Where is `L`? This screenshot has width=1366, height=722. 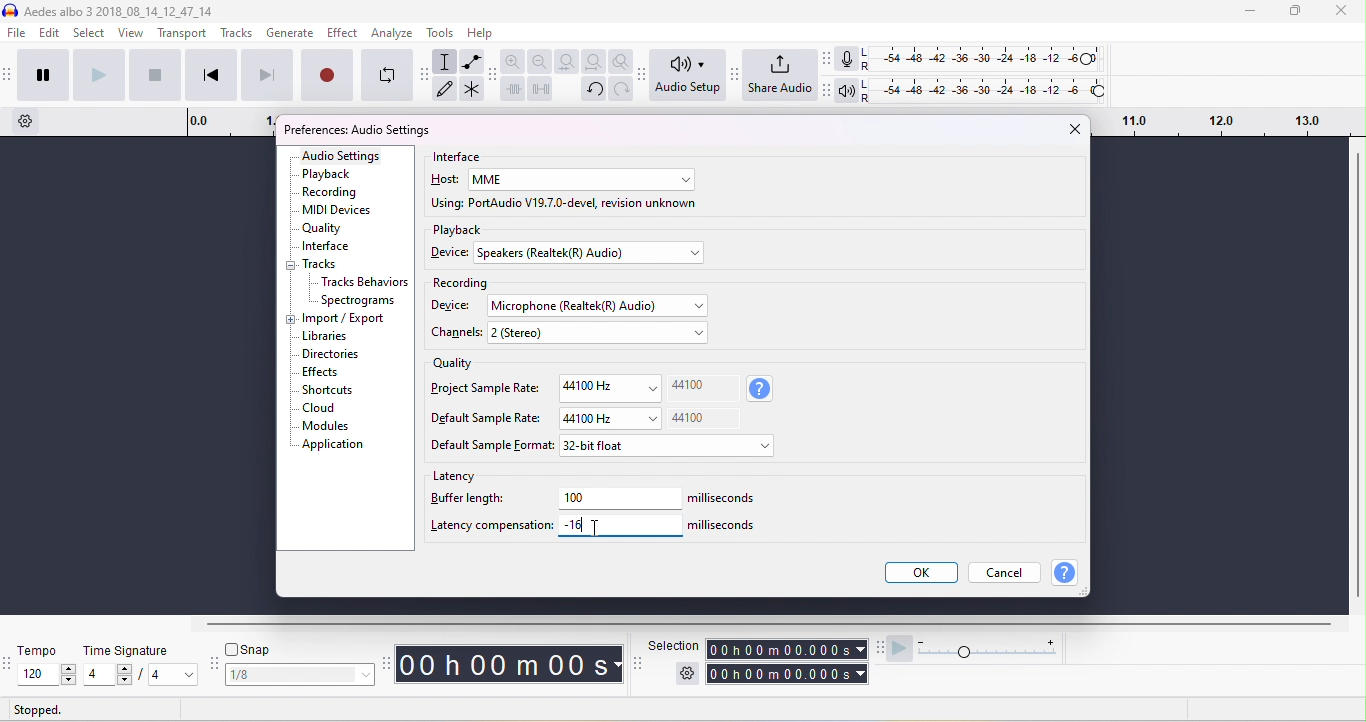
L is located at coordinates (867, 52).